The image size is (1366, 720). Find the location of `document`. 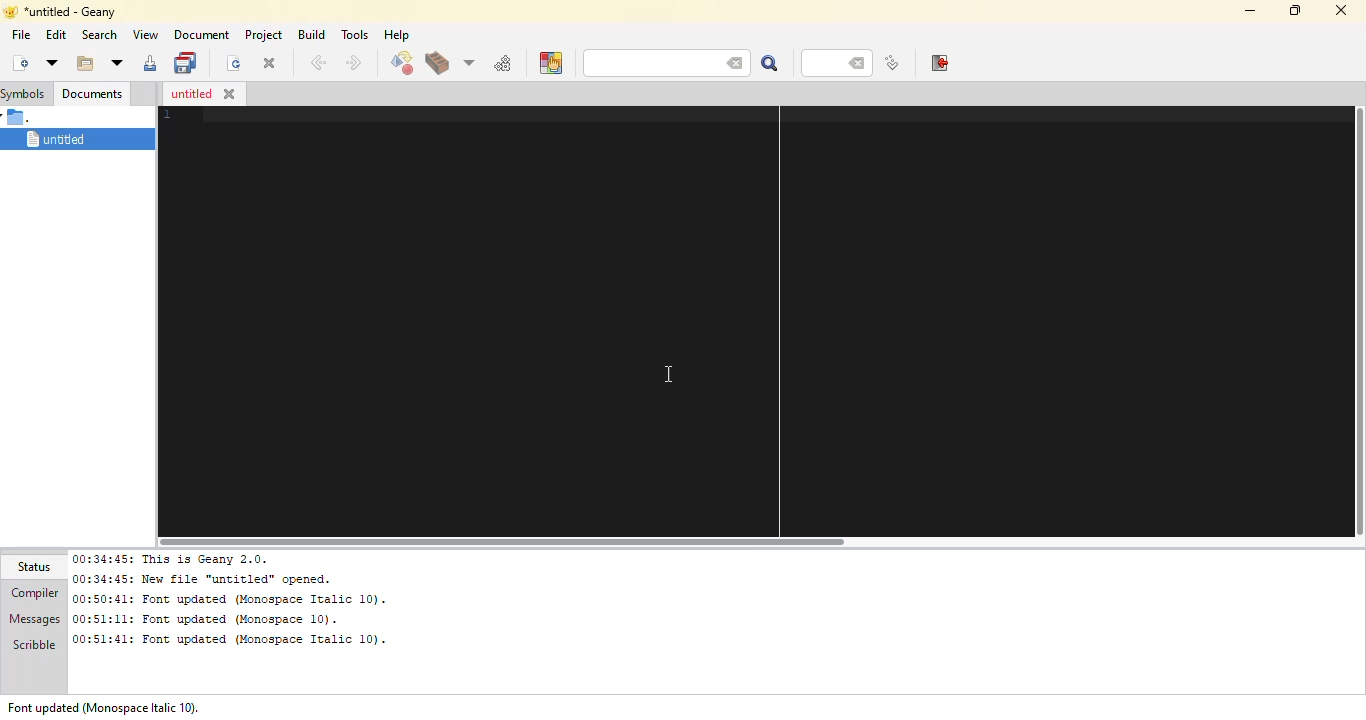

document is located at coordinates (199, 35).